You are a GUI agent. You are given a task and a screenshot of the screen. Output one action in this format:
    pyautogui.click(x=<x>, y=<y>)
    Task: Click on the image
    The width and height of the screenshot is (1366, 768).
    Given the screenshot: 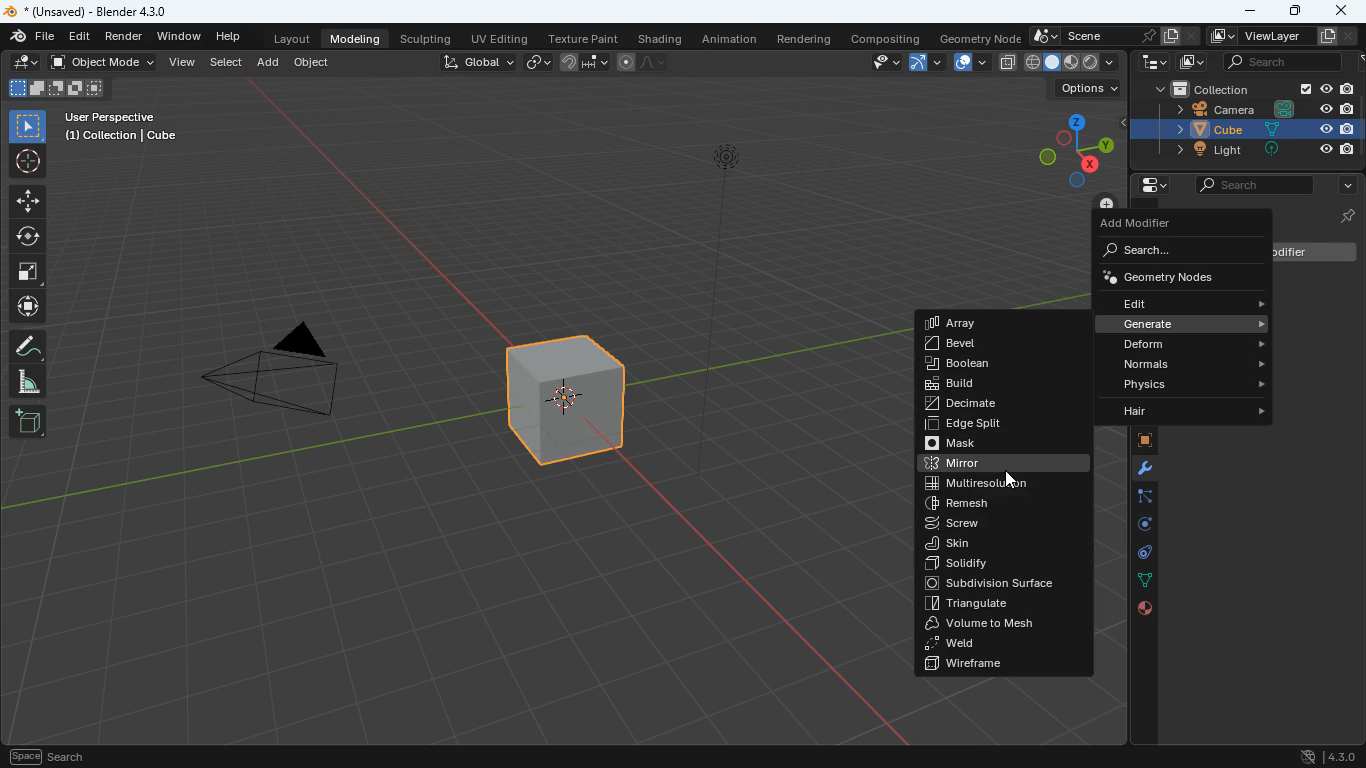 What is the action you would take?
    pyautogui.click(x=1190, y=63)
    